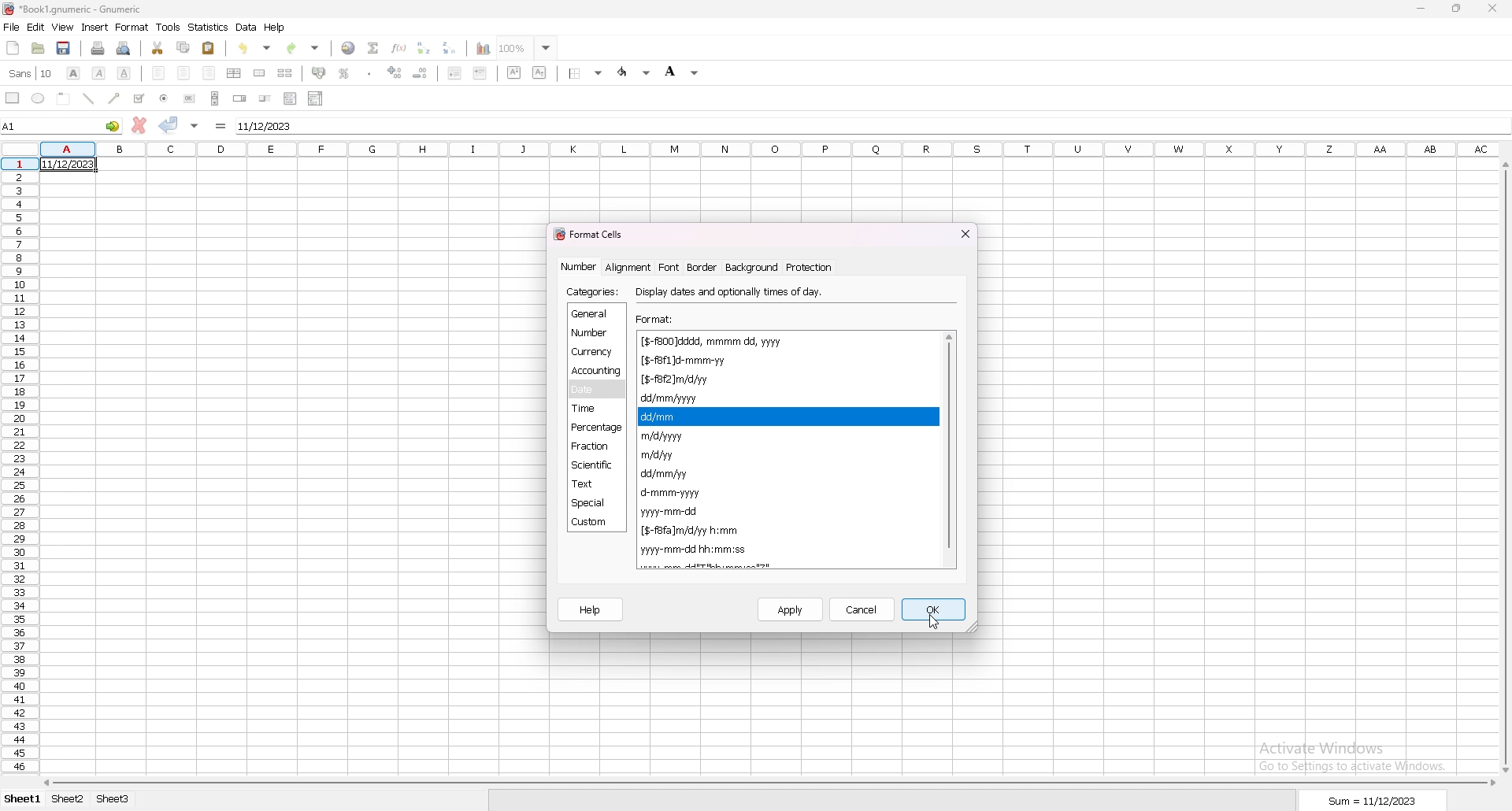  Describe the element at coordinates (12, 98) in the screenshot. I see `rectangle` at that location.